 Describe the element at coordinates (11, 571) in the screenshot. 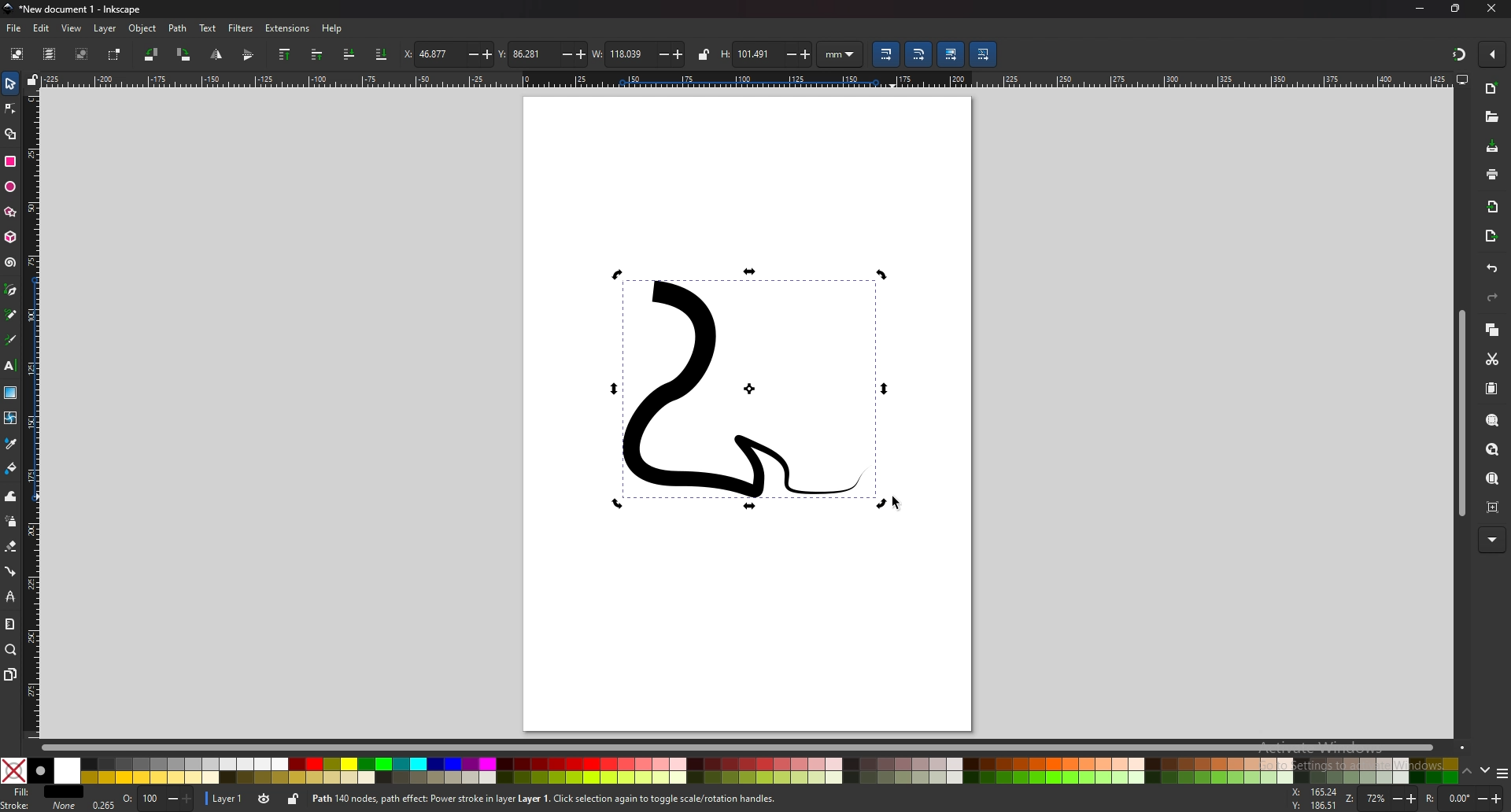

I see `connector` at that location.